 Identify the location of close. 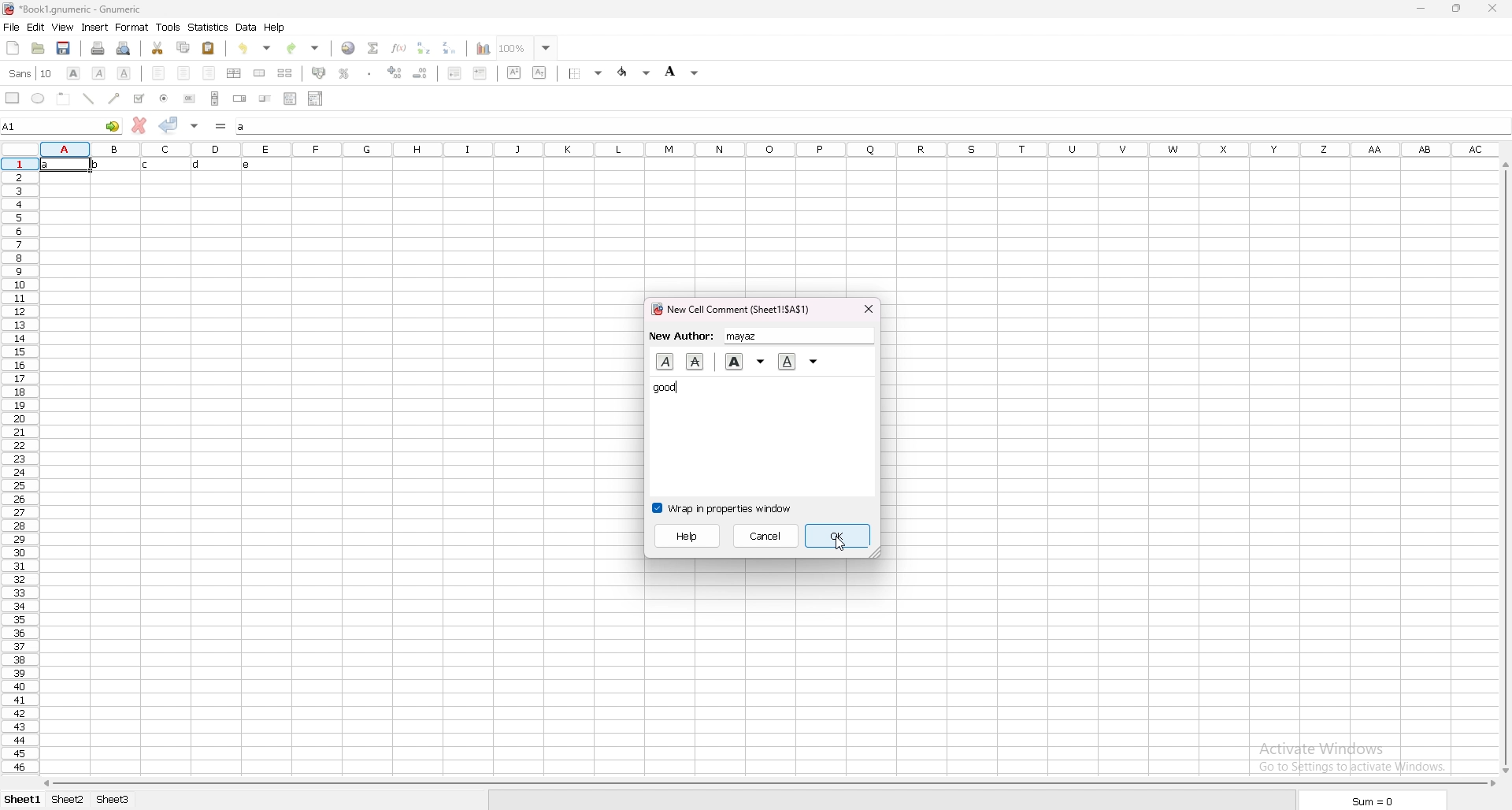
(869, 310).